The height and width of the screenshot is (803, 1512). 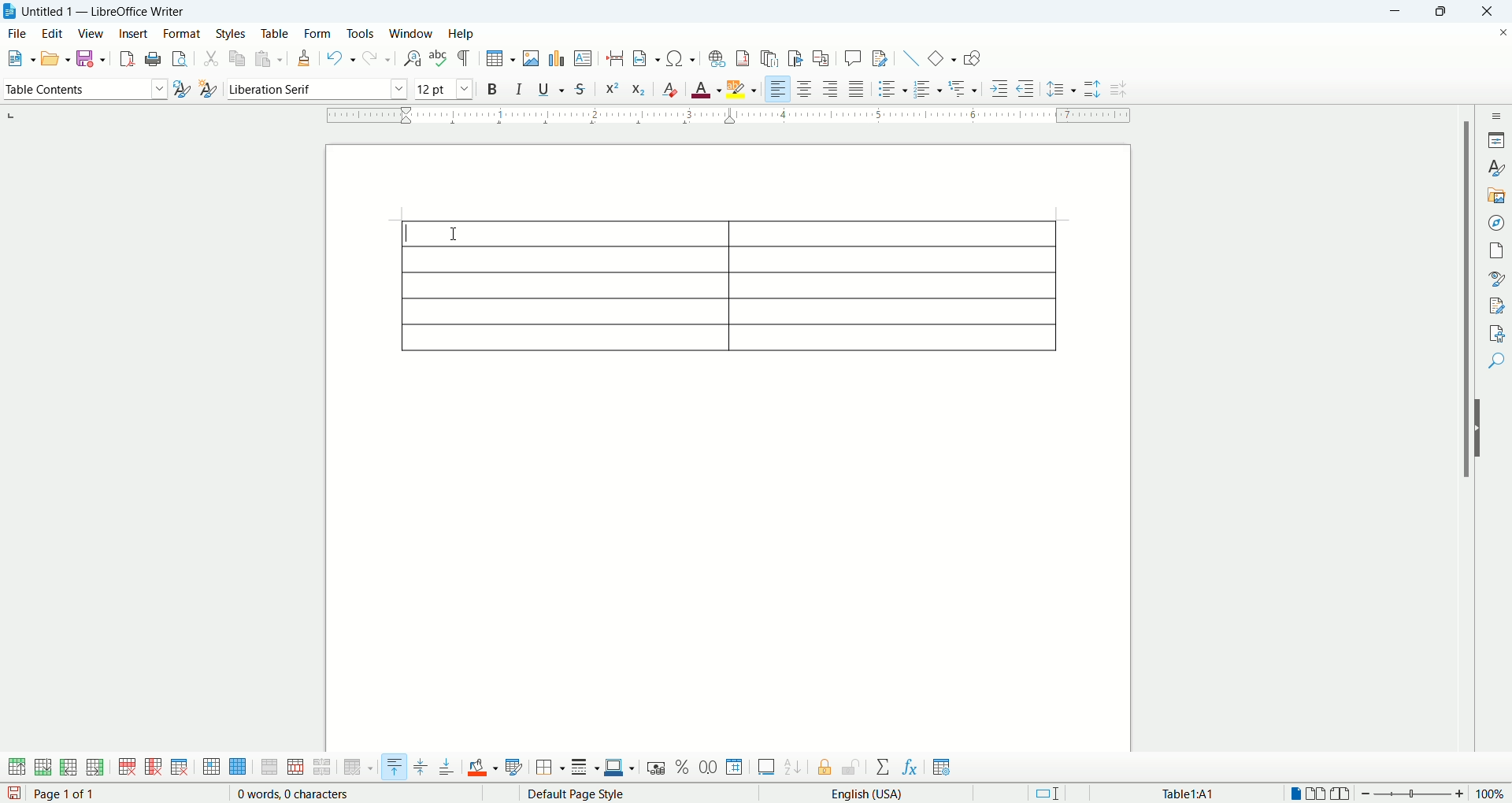 What do you see at coordinates (1414, 794) in the screenshot?
I see `zoom bar` at bounding box center [1414, 794].